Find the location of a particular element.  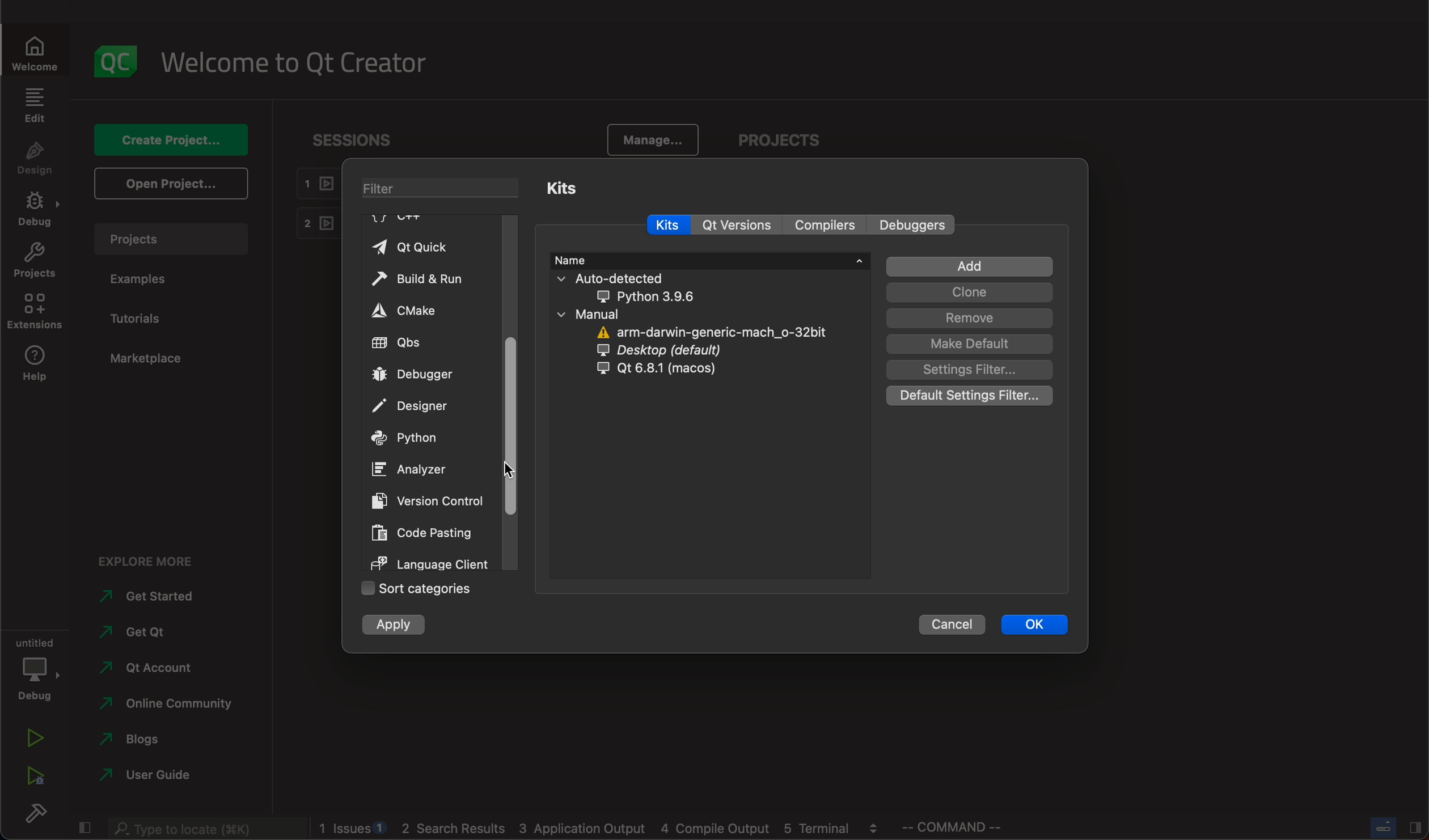

version is located at coordinates (736, 224).